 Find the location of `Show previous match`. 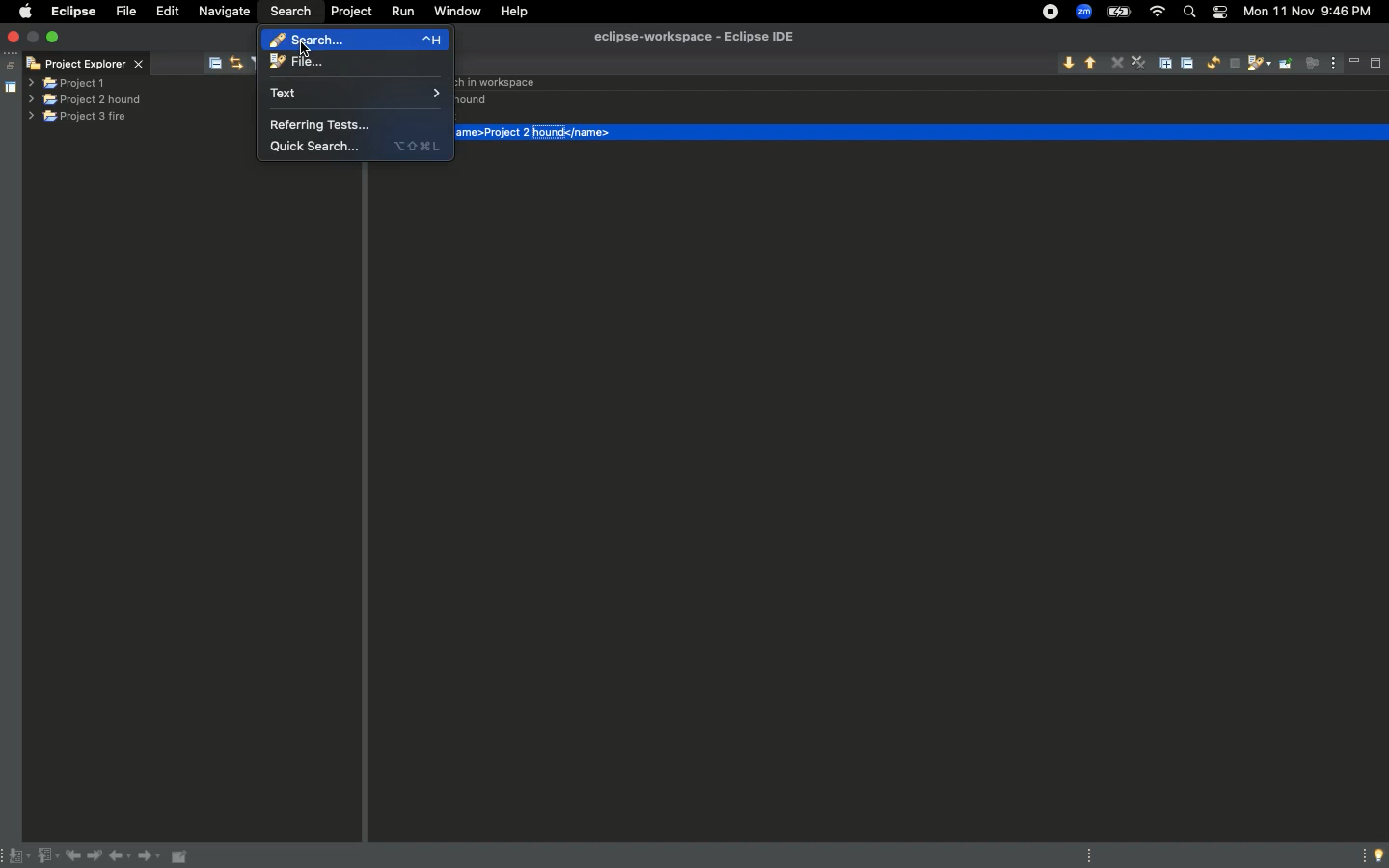

Show previous match is located at coordinates (1091, 65).